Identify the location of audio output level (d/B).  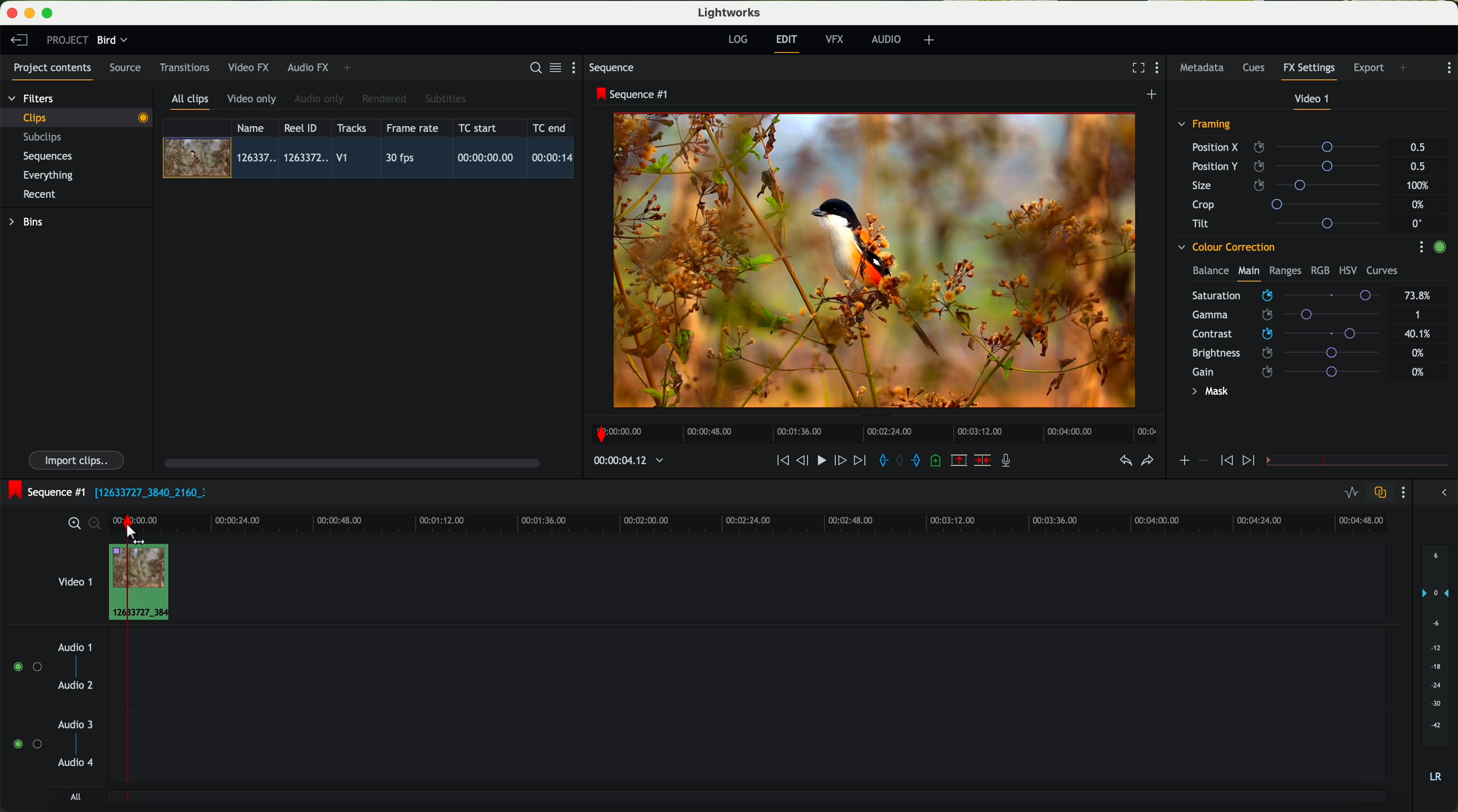
(1436, 667).